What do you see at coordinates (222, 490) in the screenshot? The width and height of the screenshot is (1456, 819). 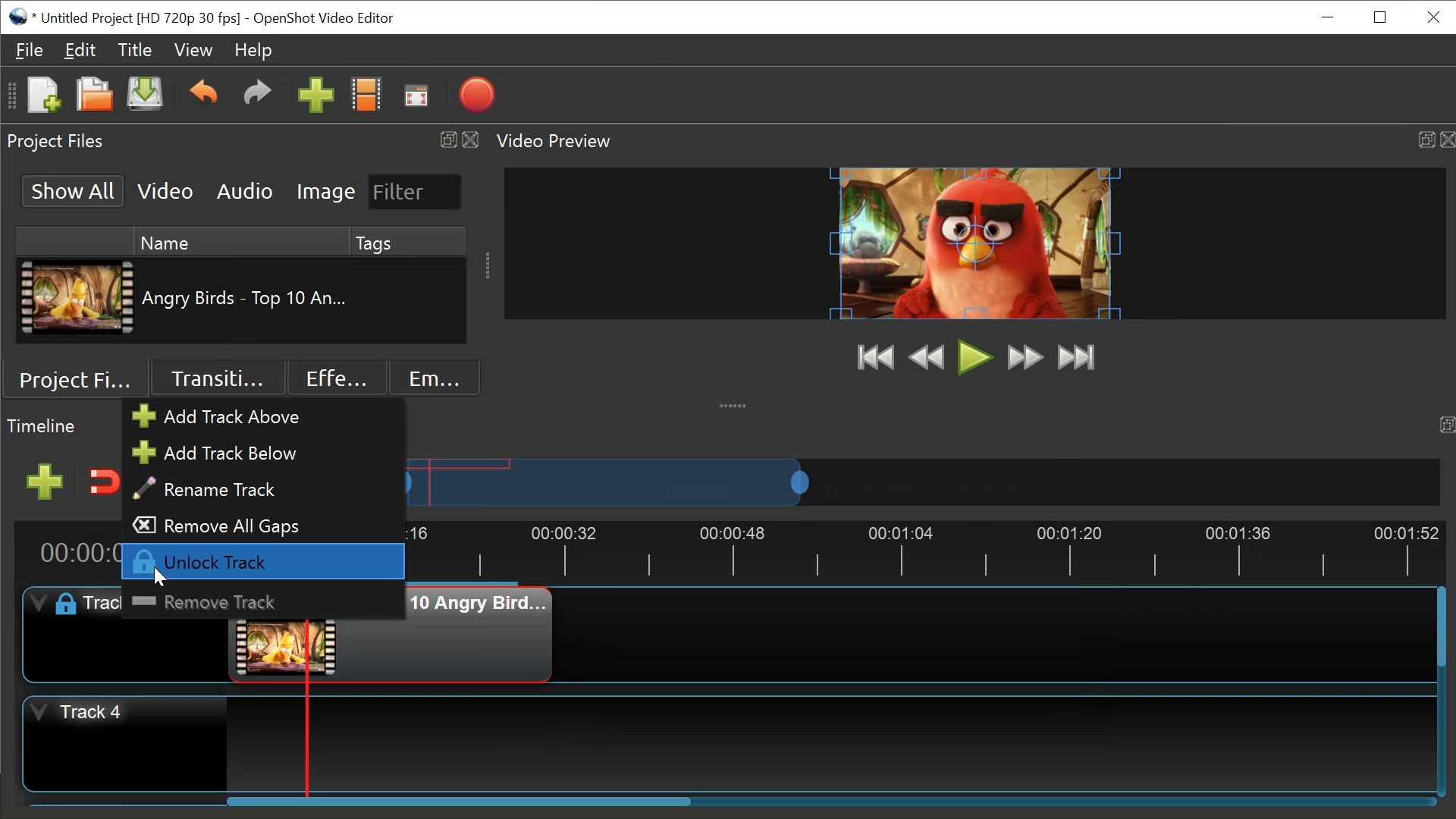 I see `Rename Track` at bounding box center [222, 490].